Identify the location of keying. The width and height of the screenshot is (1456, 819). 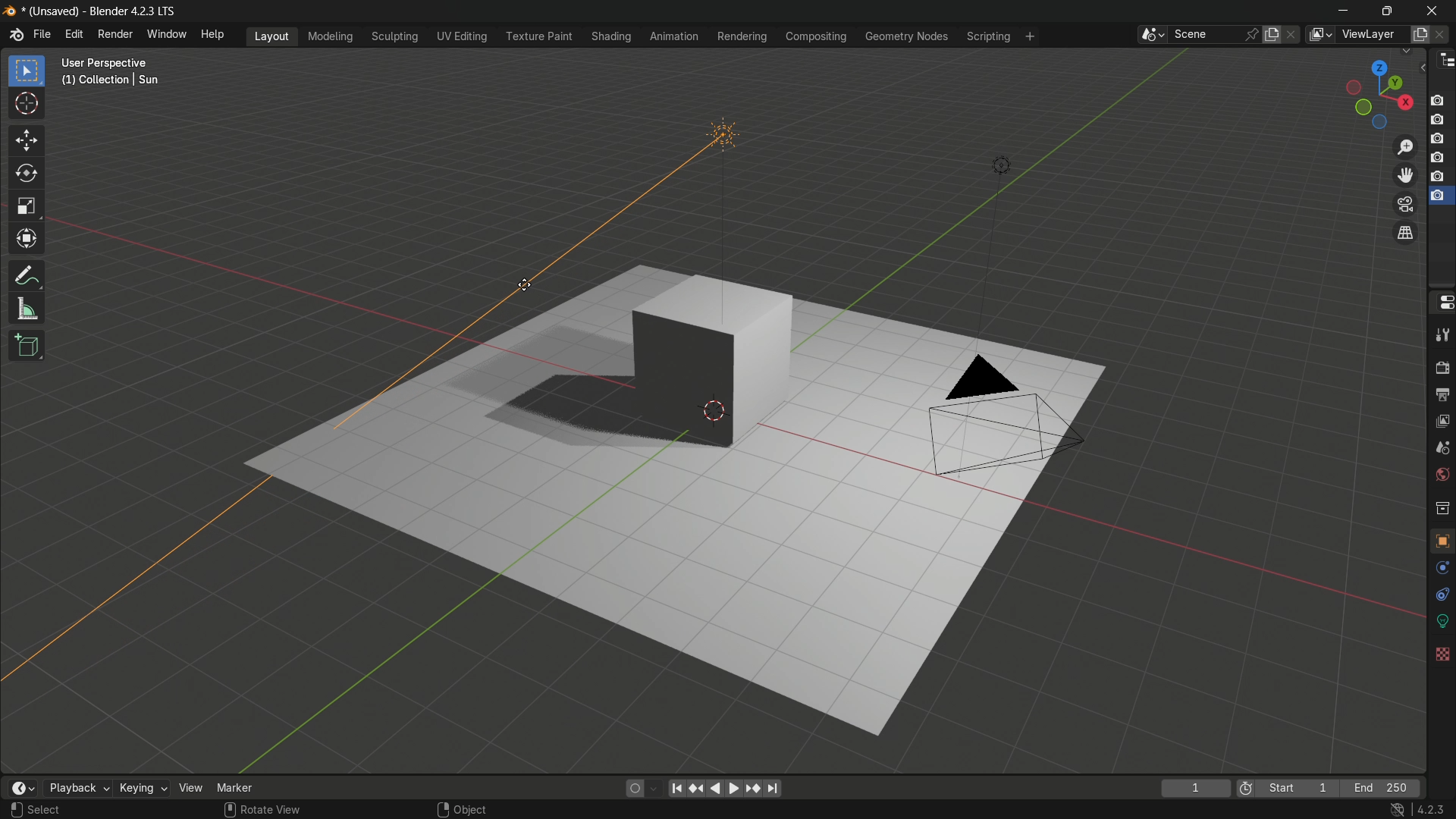
(139, 787).